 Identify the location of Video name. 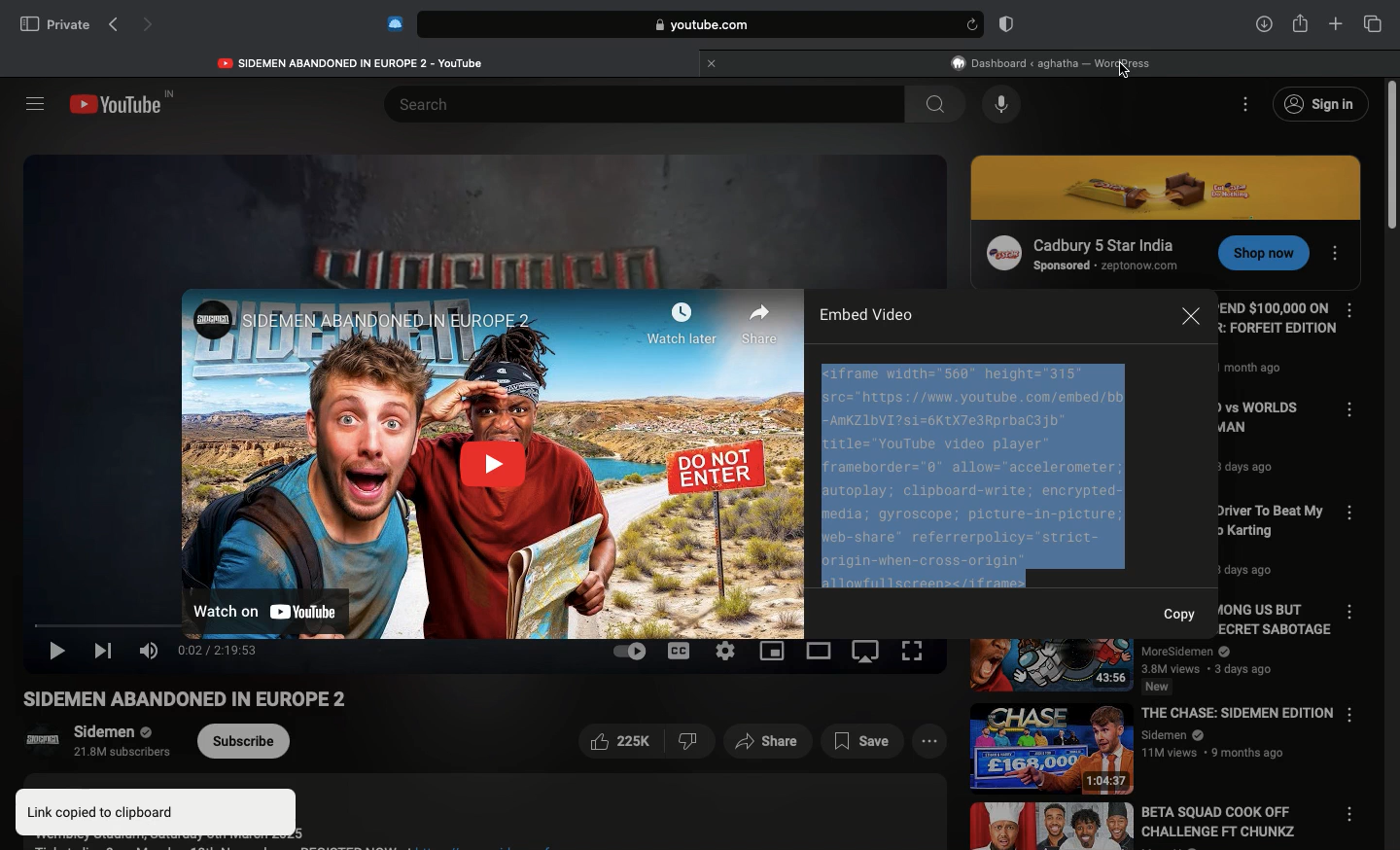
(1154, 745).